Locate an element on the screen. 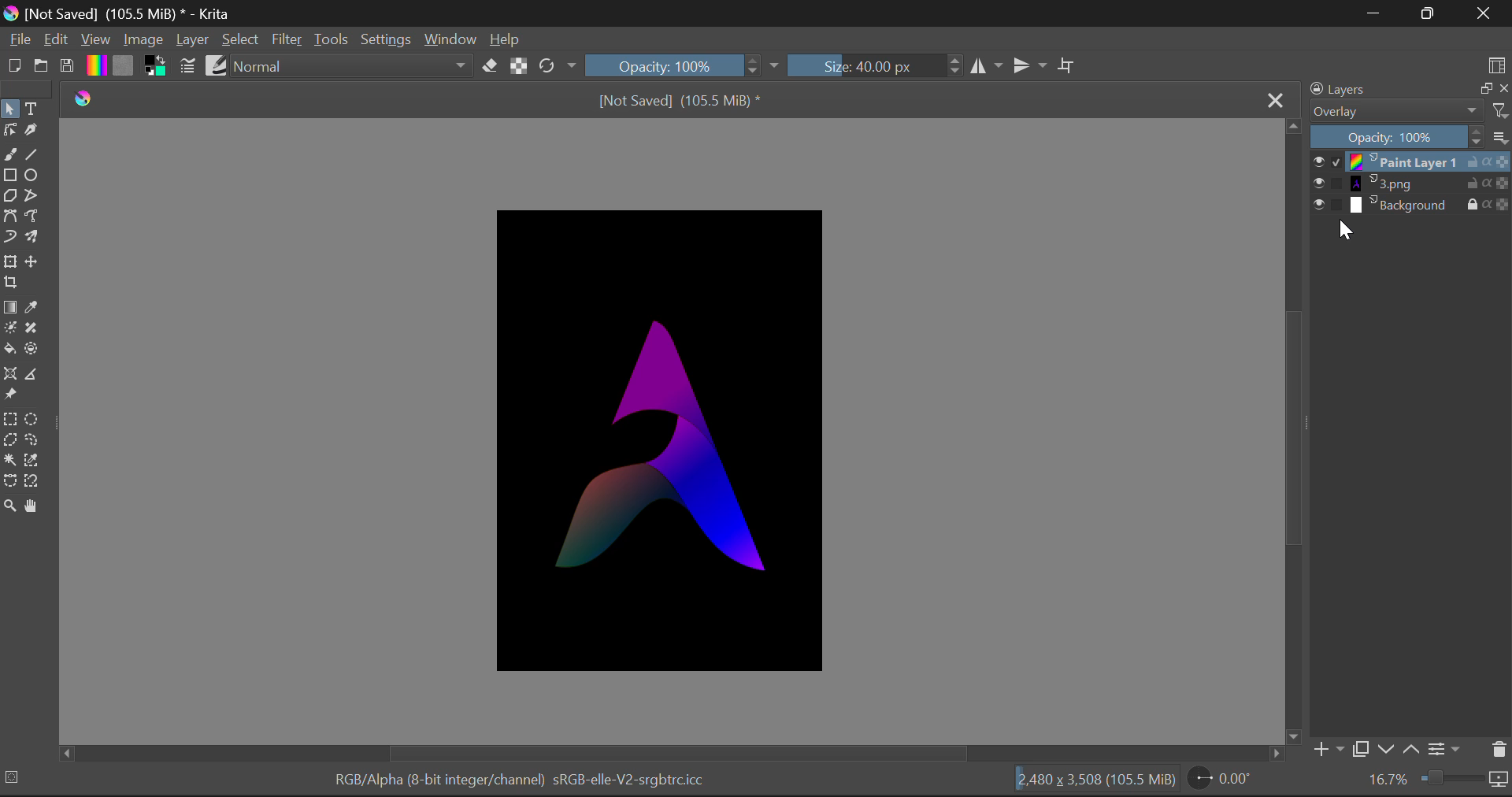 This screenshot has width=1512, height=797. Crop is located at coordinates (1068, 65).